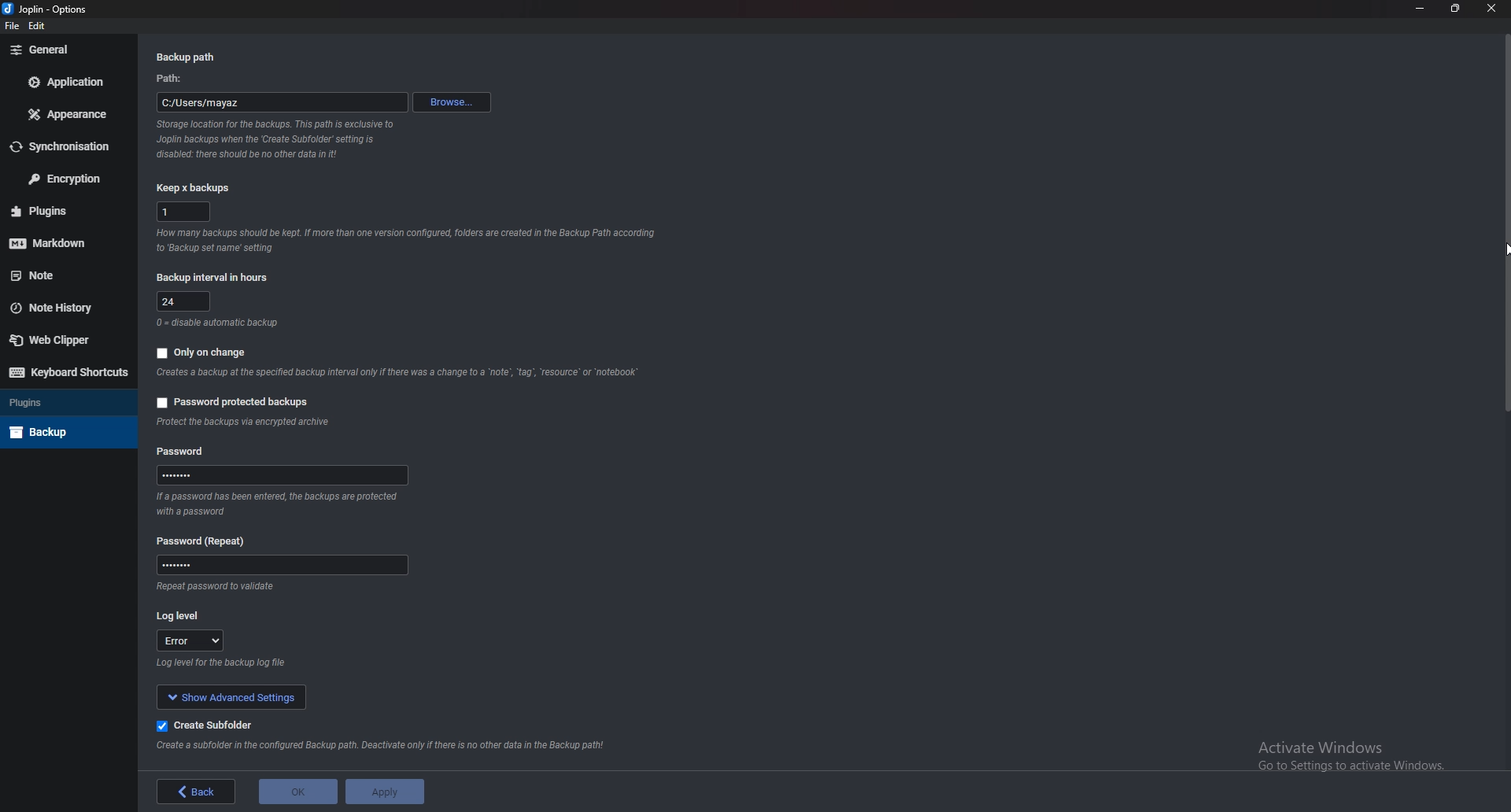 The height and width of the screenshot is (812, 1511). What do you see at coordinates (68, 116) in the screenshot?
I see `Appearance` at bounding box center [68, 116].